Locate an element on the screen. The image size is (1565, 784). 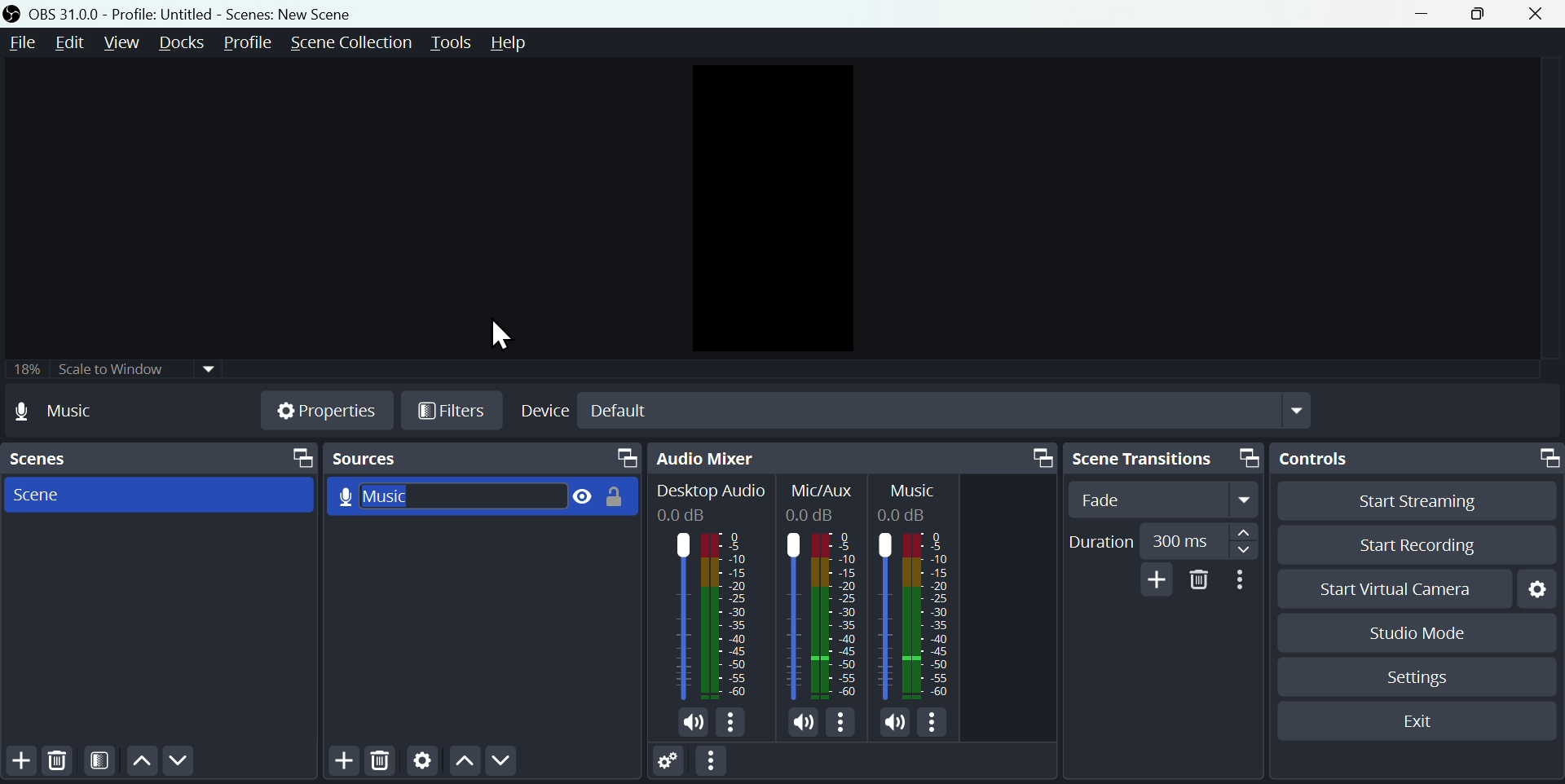
Scene collection is located at coordinates (355, 42).